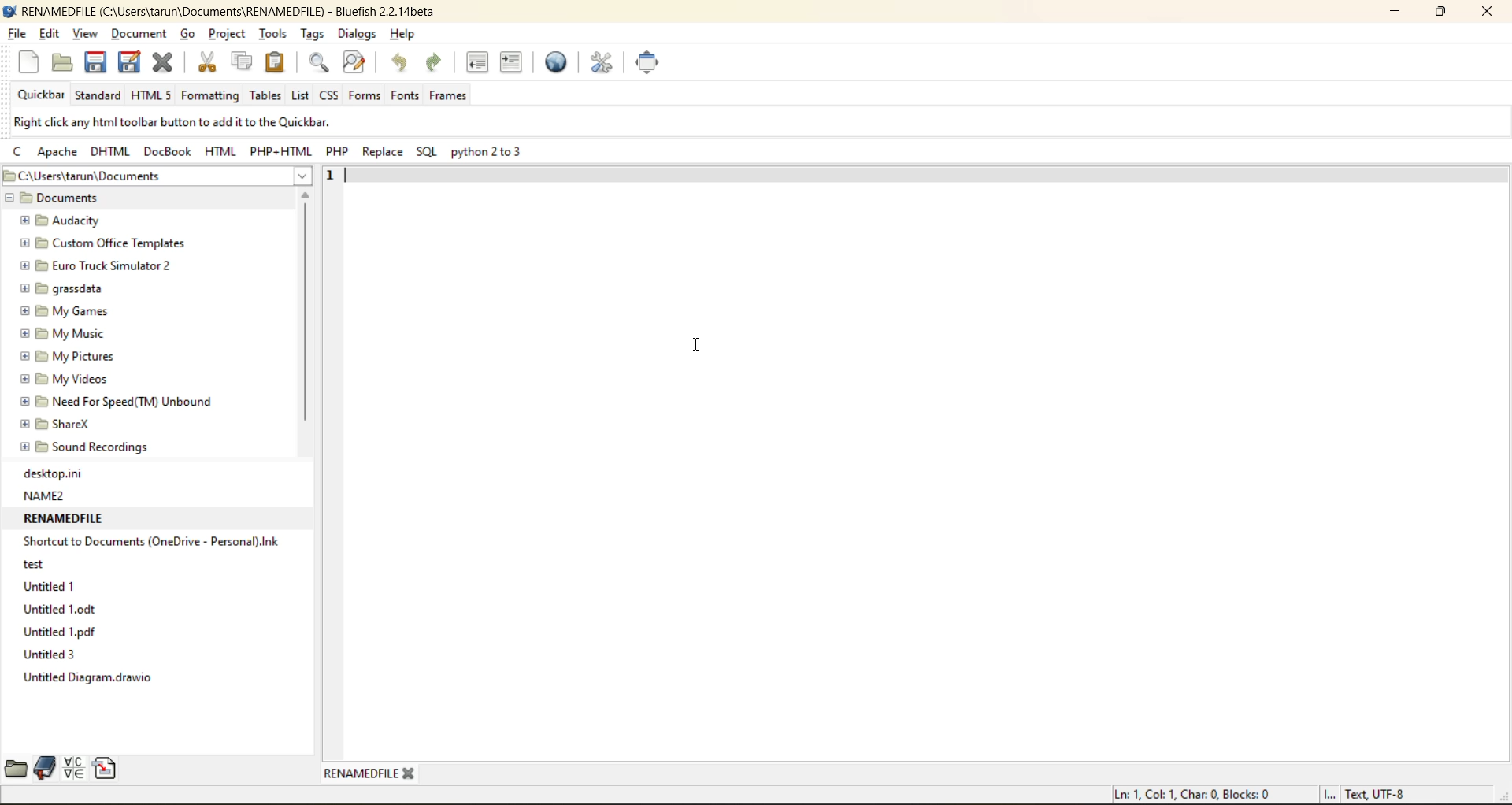 The height and width of the screenshot is (805, 1512). What do you see at coordinates (57, 655) in the screenshot?
I see `Untitled 3` at bounding box center [57, 655].